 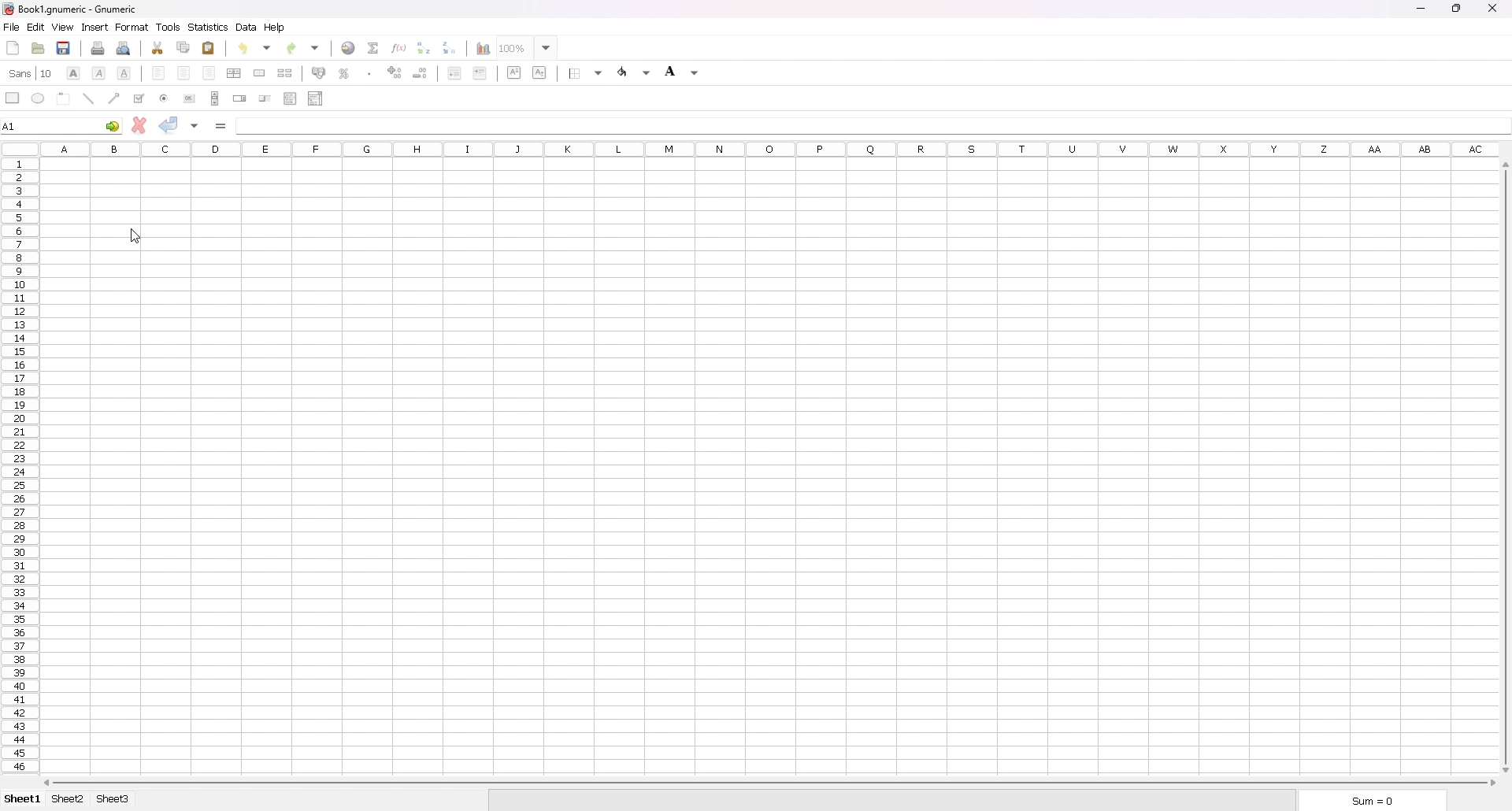 What do you see at coordinates (235, 73) in the screenshot?
I see `centre horizontally` at bounding box center [235, 73].